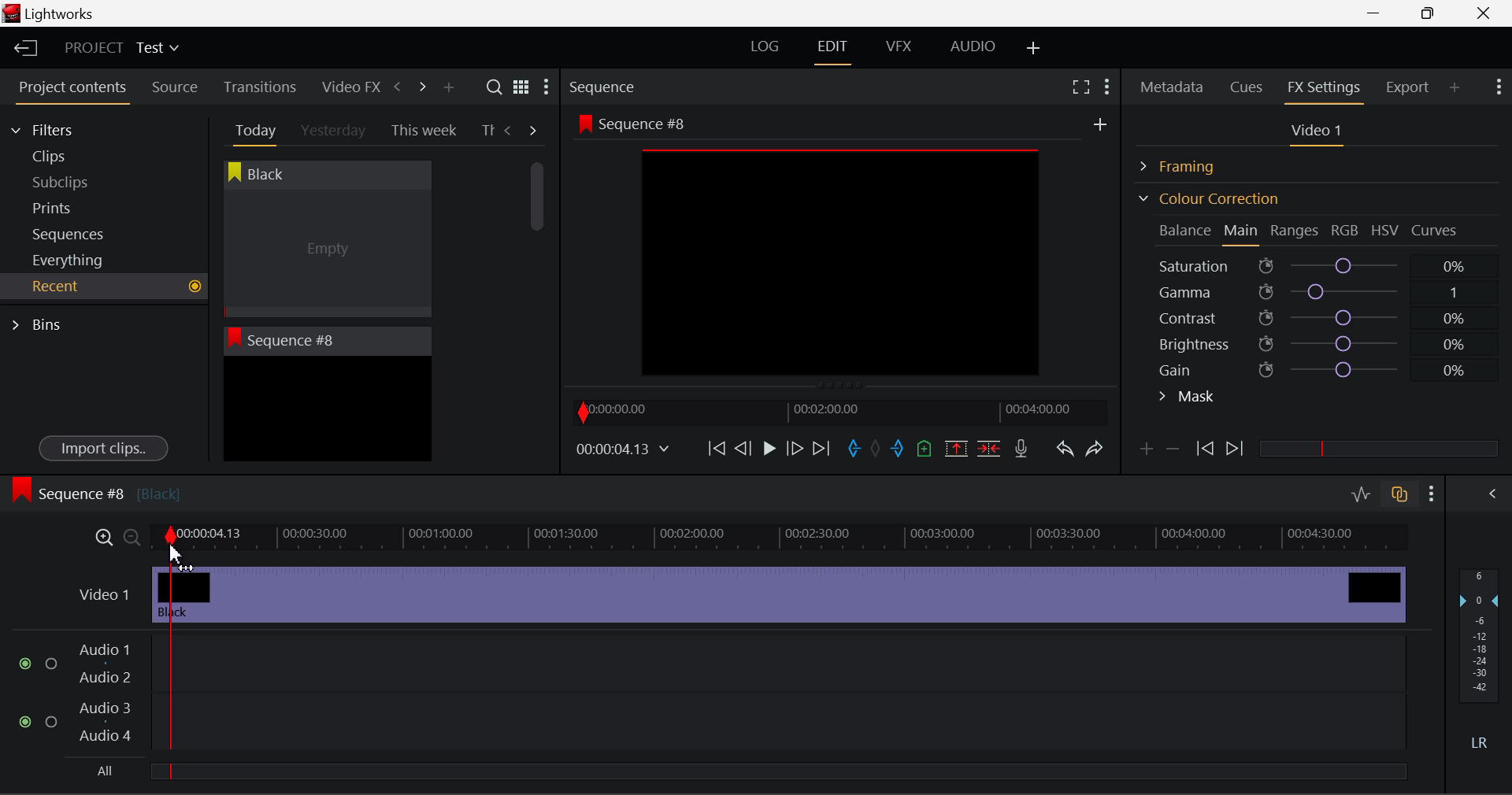 Image resolution: width=1512 pixels, height=795 pixels. I want to click on LOG Layout, so click(764, 46).